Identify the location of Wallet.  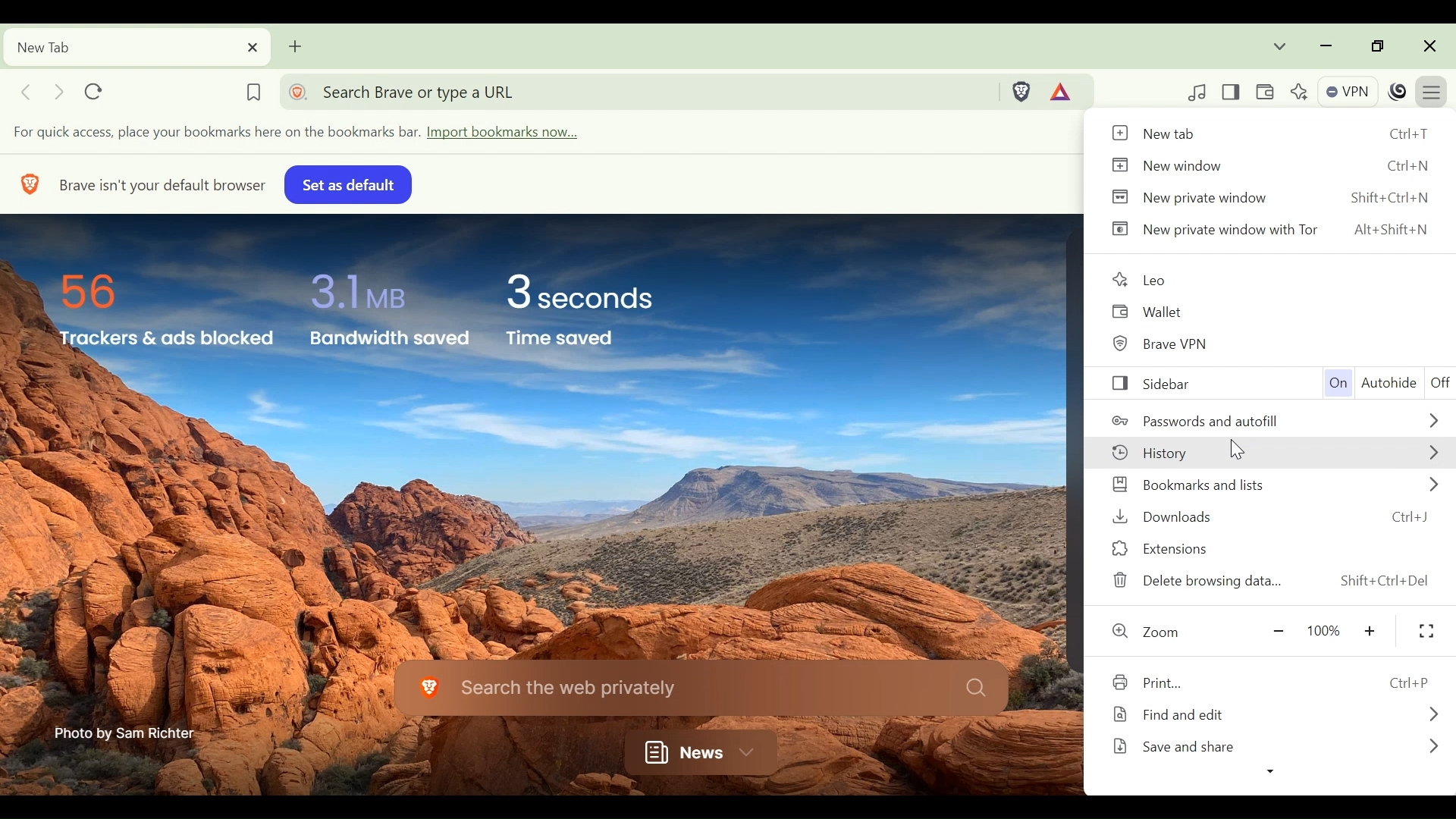
(1266, 91).